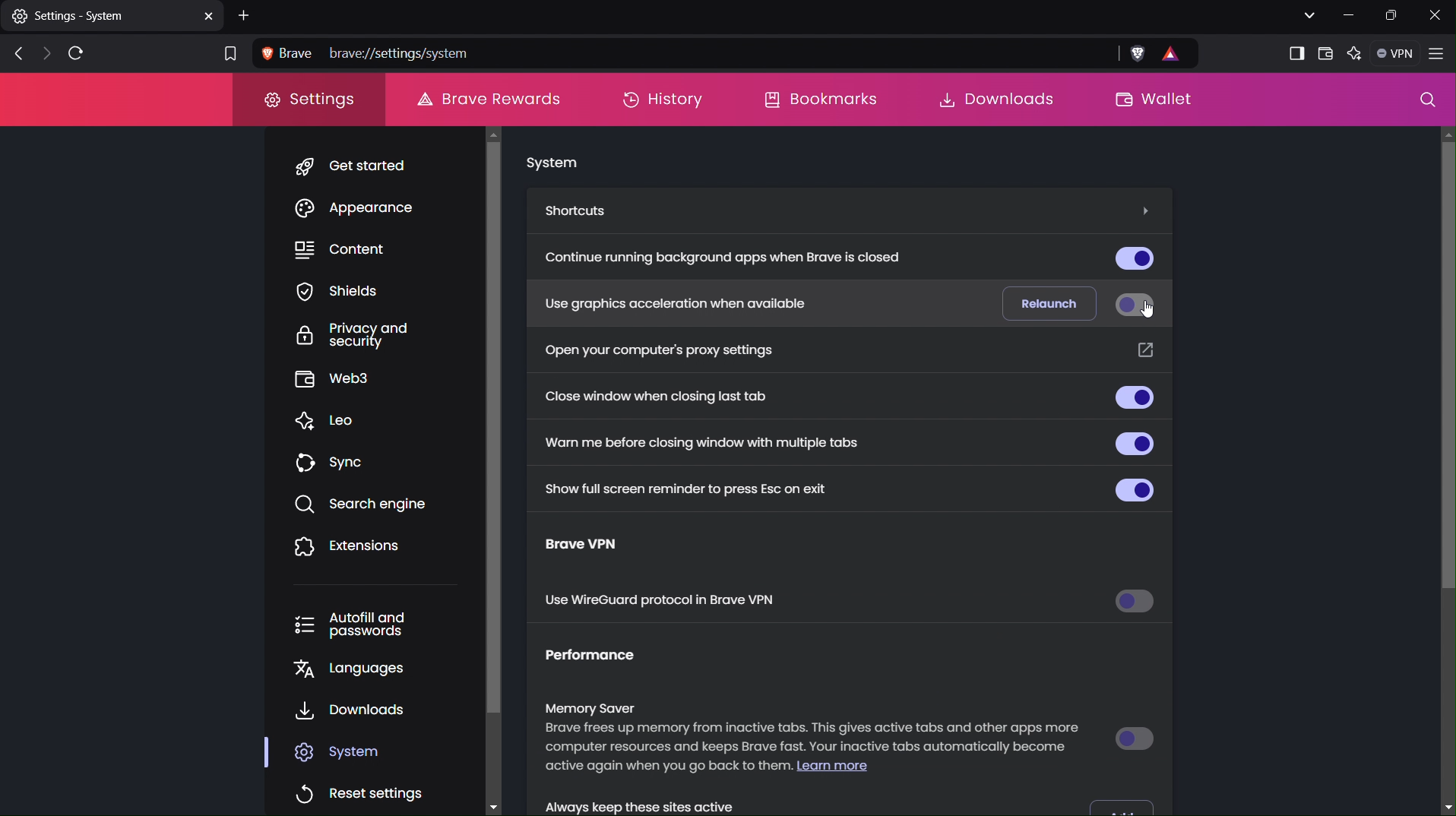  I want to click on Privacy and security, so click(365, 336).